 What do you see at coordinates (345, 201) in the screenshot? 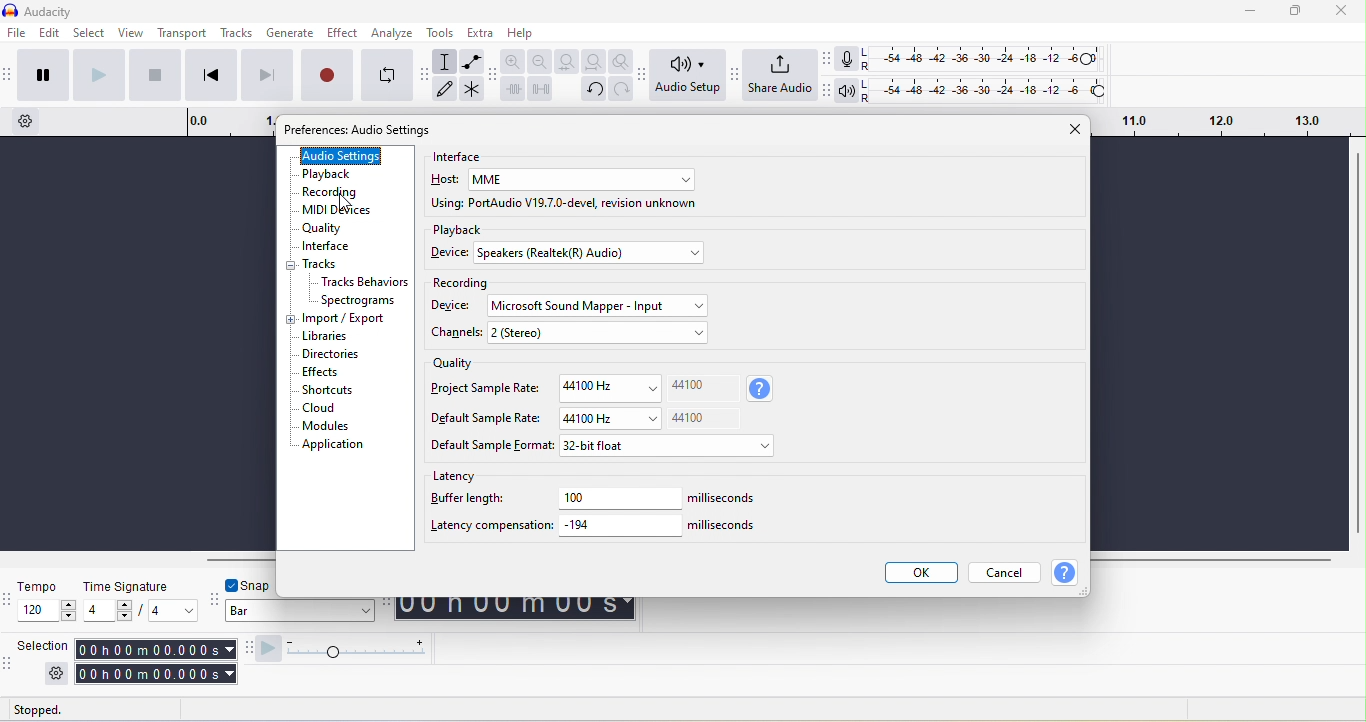
I see `cursor movement` at bounding box center [345, 201].